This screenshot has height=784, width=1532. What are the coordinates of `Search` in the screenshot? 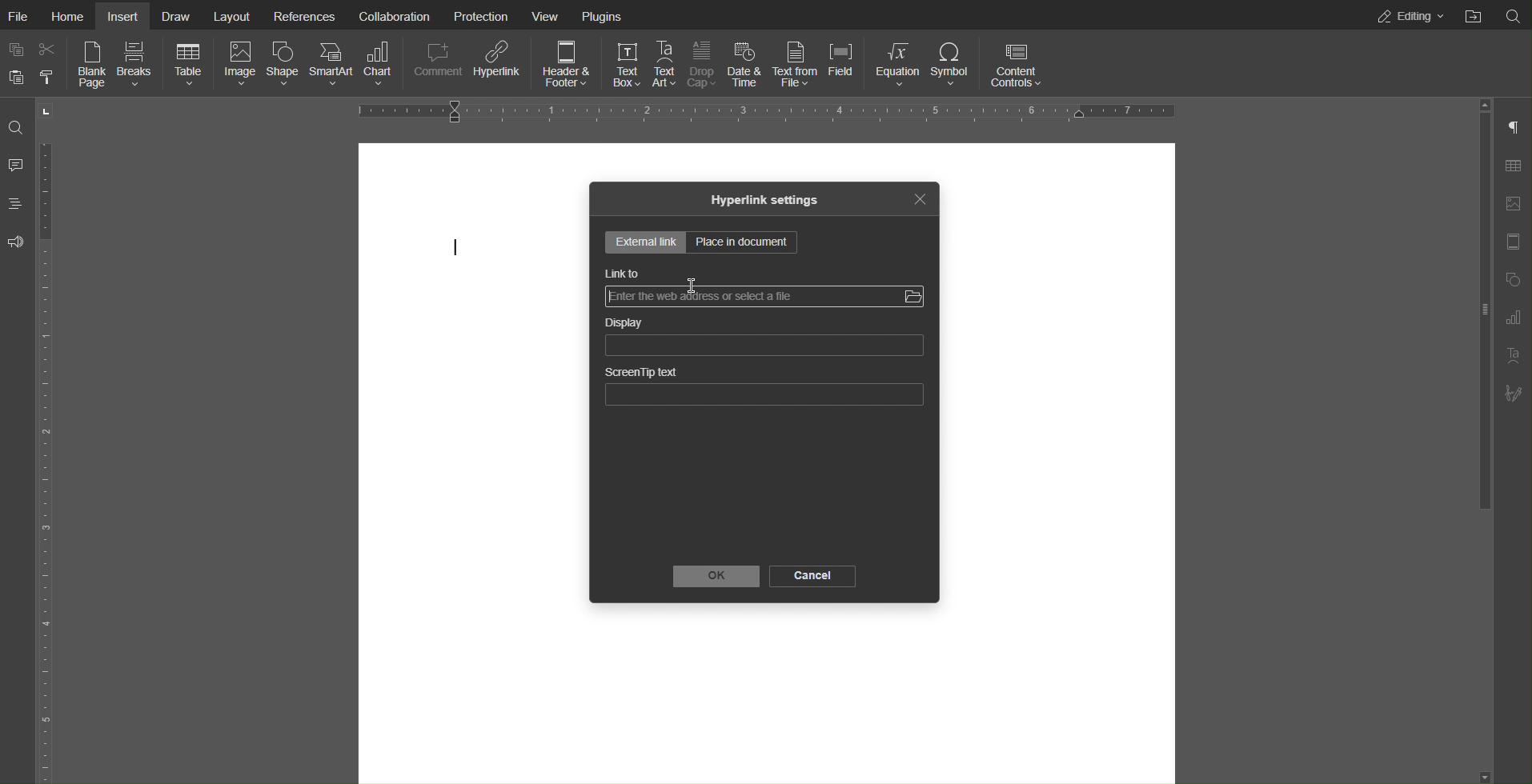 It's located at (16, 126).